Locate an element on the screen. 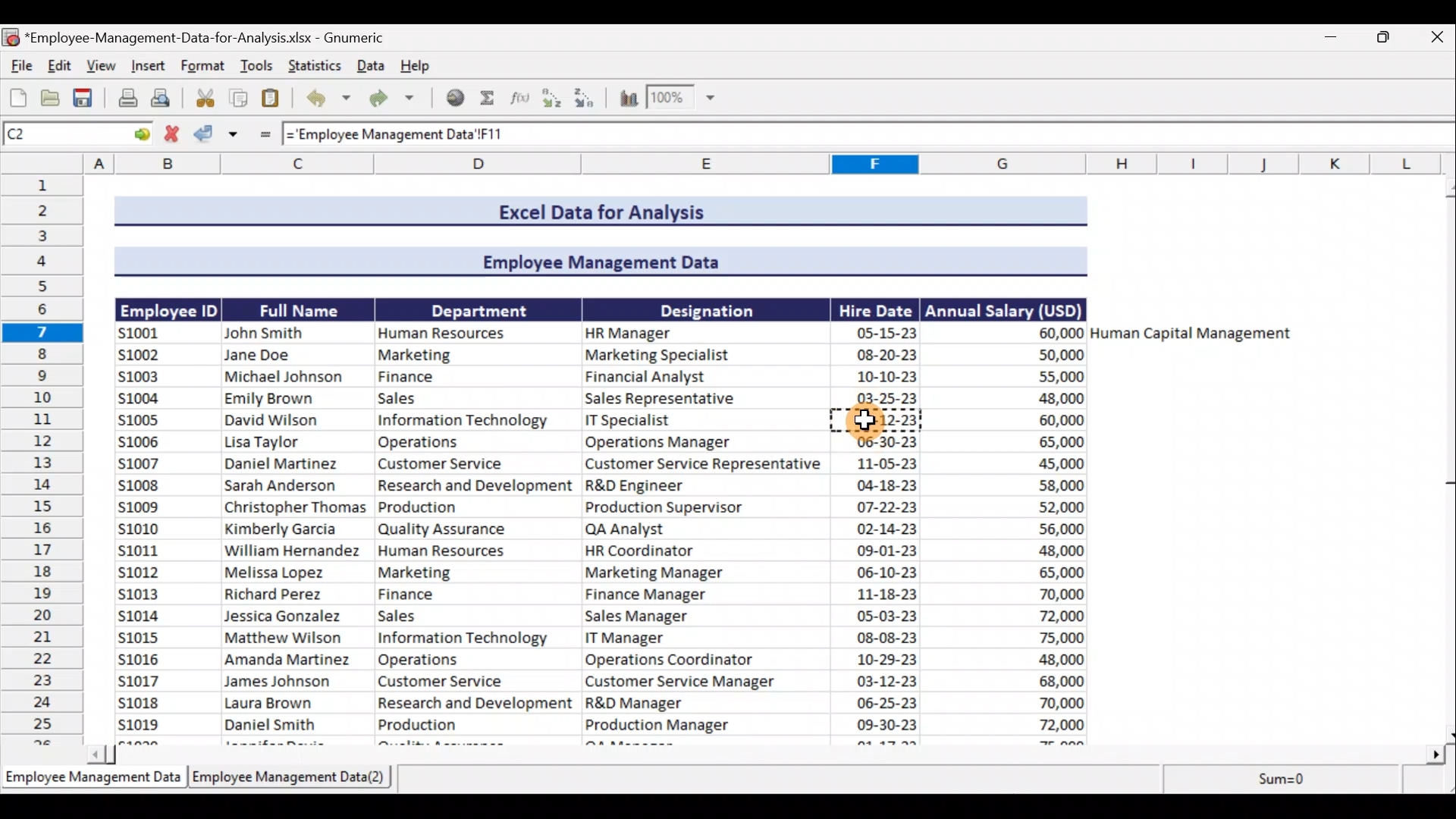  Cut selection is located at coordinates (204, 100).